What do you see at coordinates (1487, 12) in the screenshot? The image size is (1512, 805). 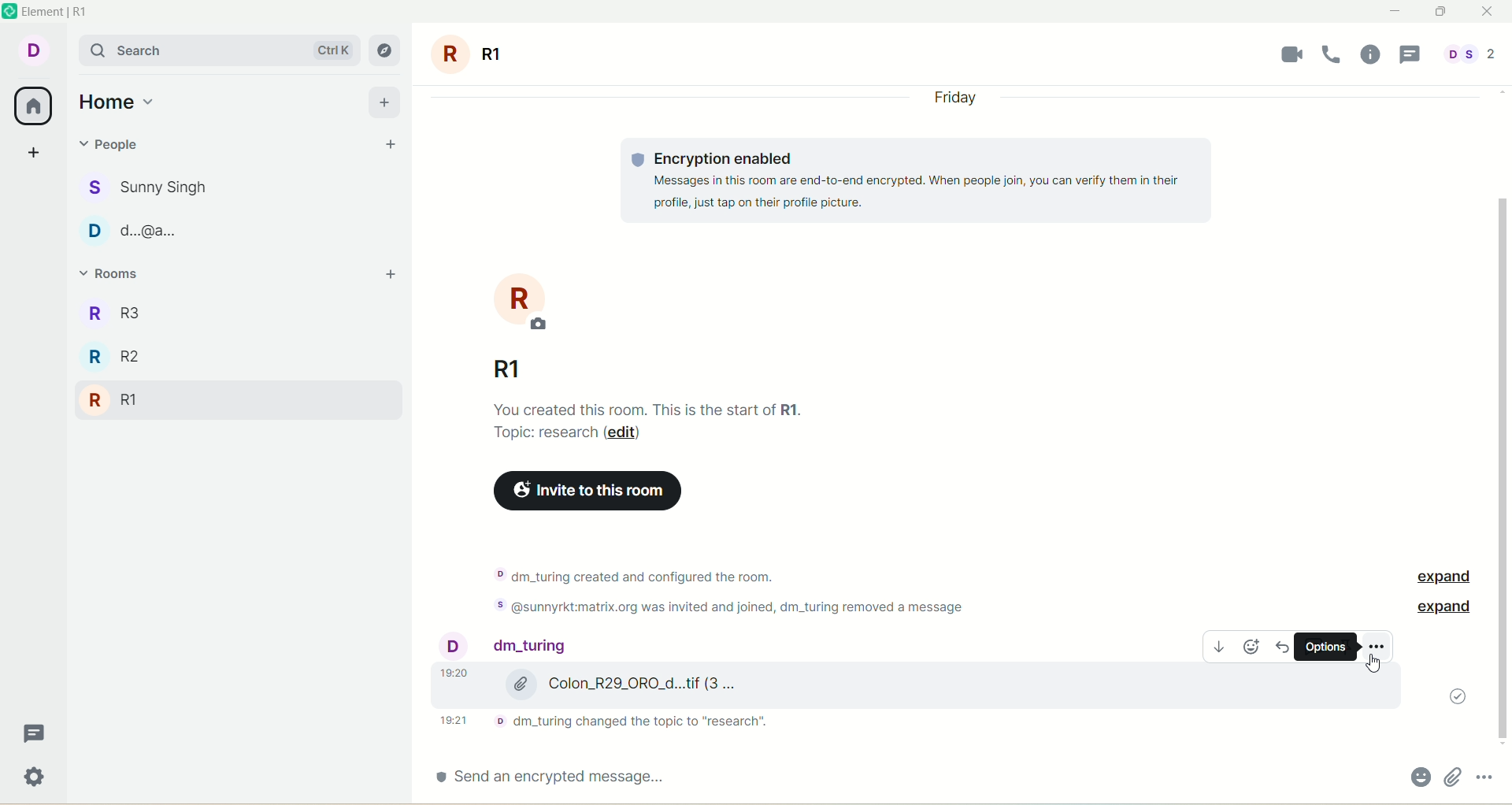 I see `close` at bounding box center [1487, 12].